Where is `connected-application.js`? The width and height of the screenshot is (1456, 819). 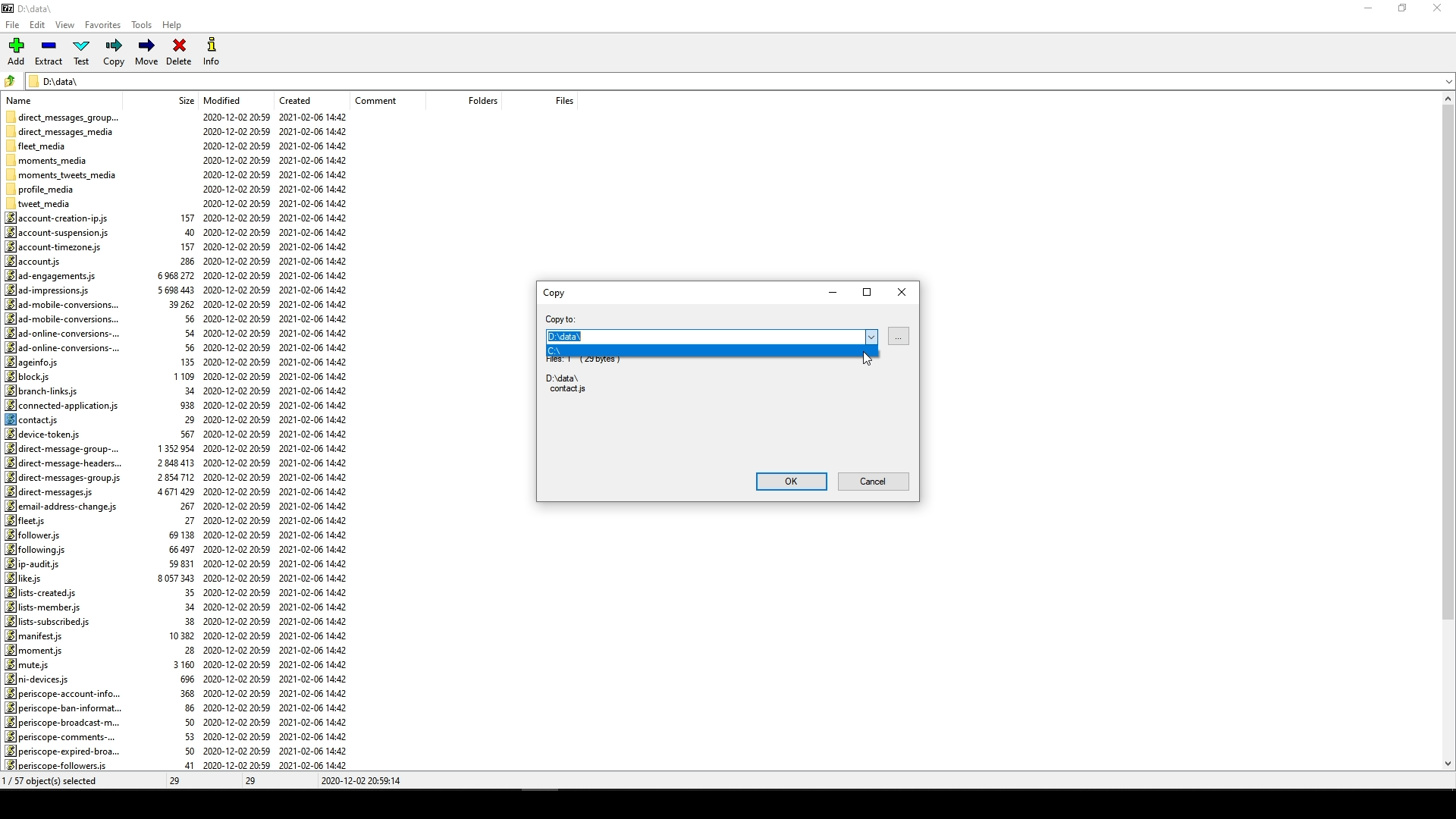 connected-application.js is located at coordinates (61, 406).